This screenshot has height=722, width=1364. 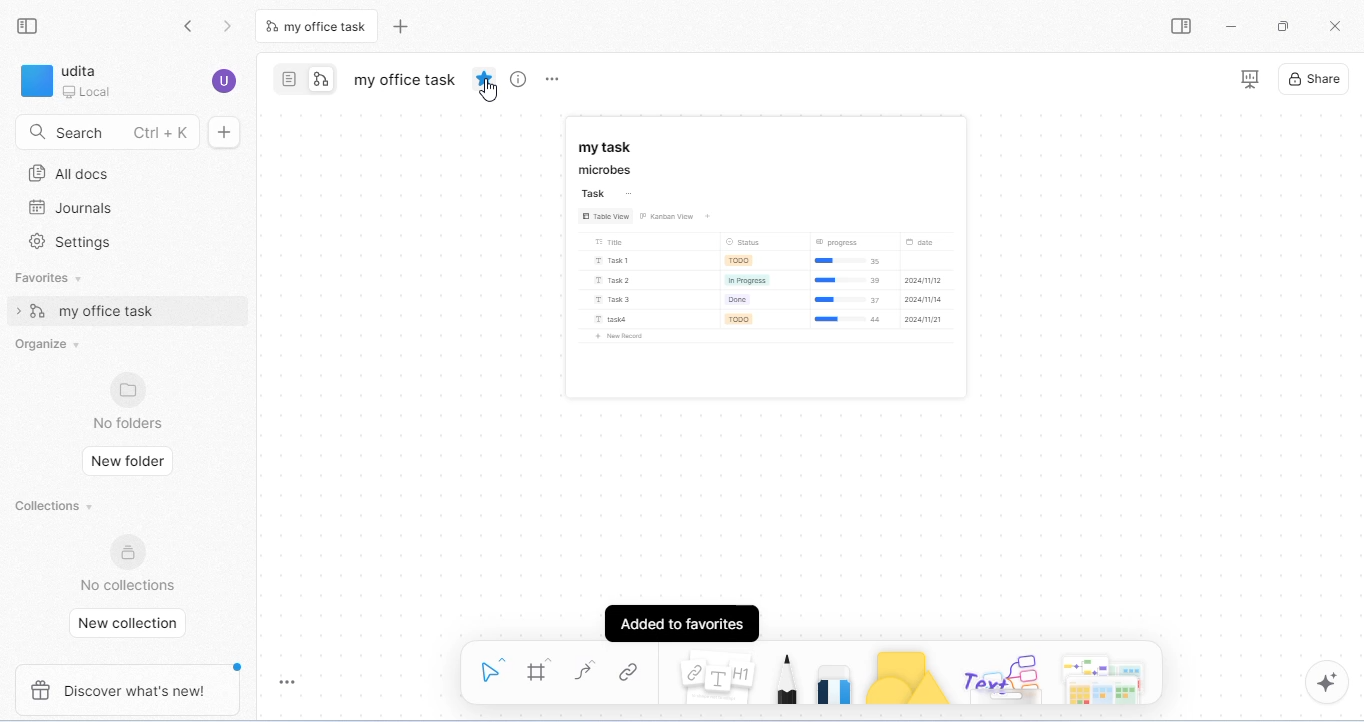 I want to click on shapes, so click(x=910, y=675).